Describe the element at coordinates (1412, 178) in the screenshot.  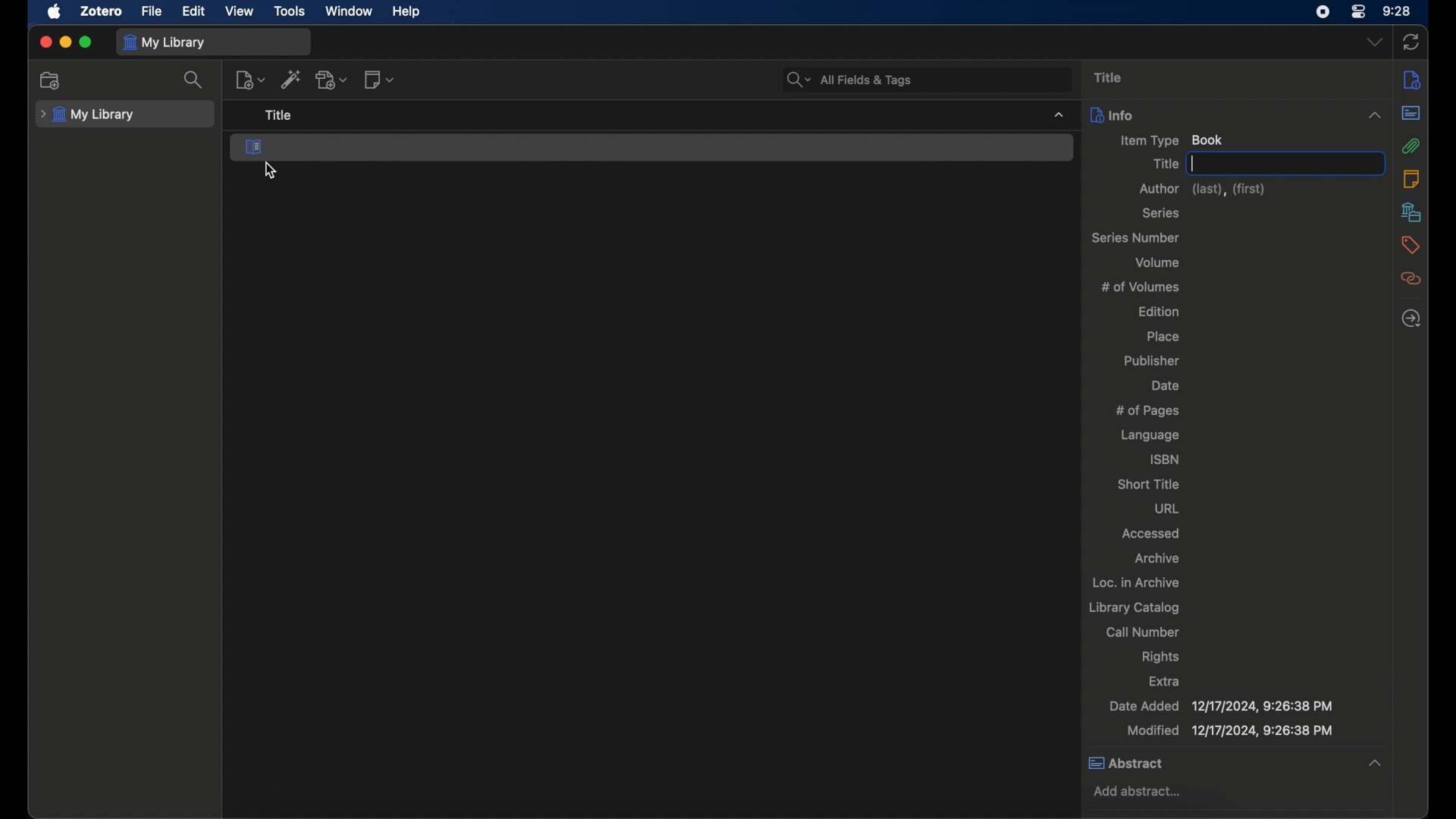
I see `notes` at that location.